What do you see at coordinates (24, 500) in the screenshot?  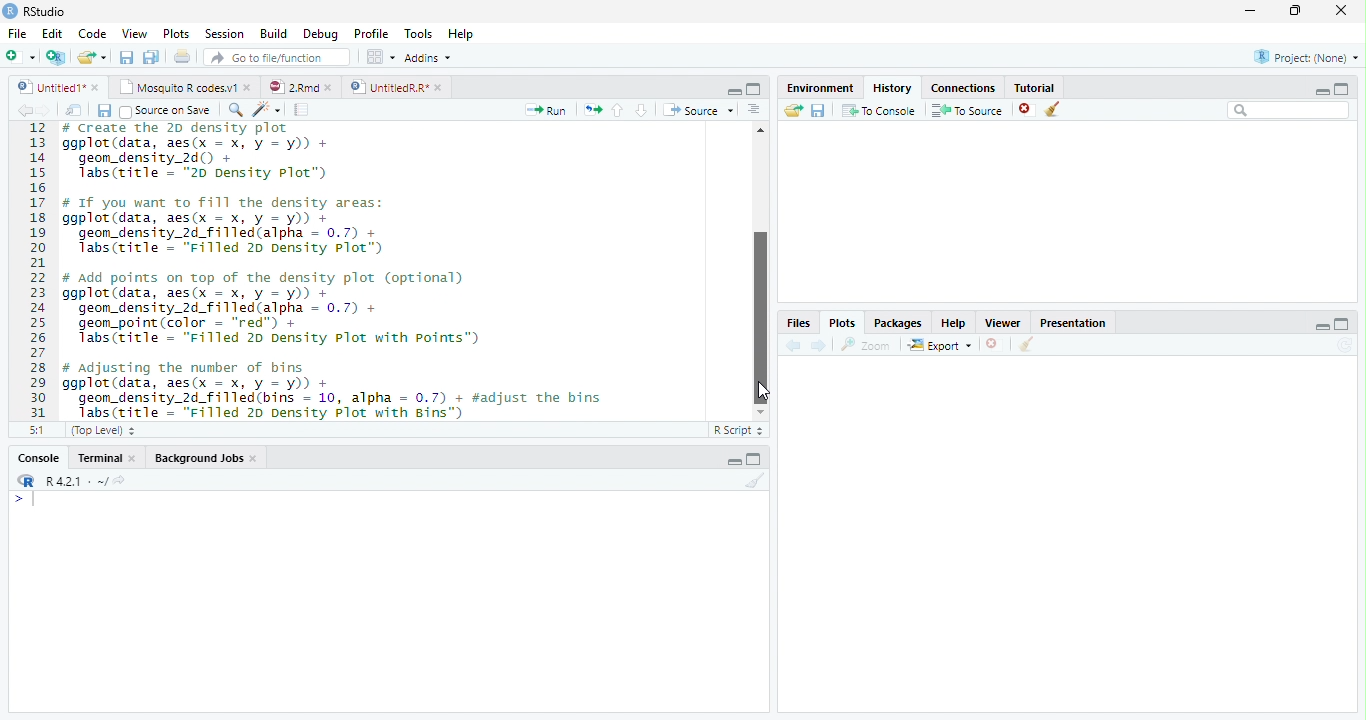 I see `>` at bounding box center [24, 500].